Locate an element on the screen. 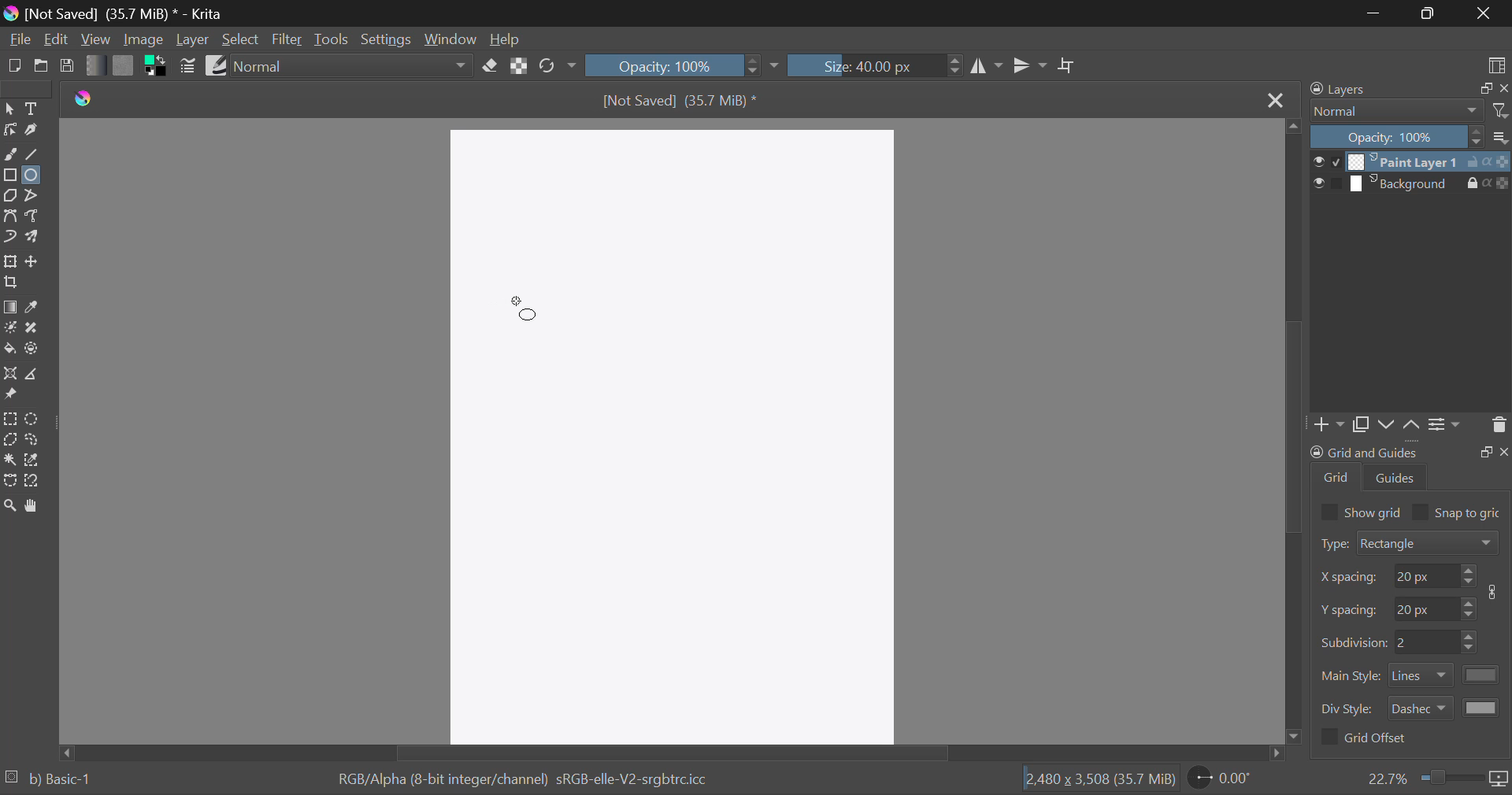  Pattern is located at coordinates (123, 68).